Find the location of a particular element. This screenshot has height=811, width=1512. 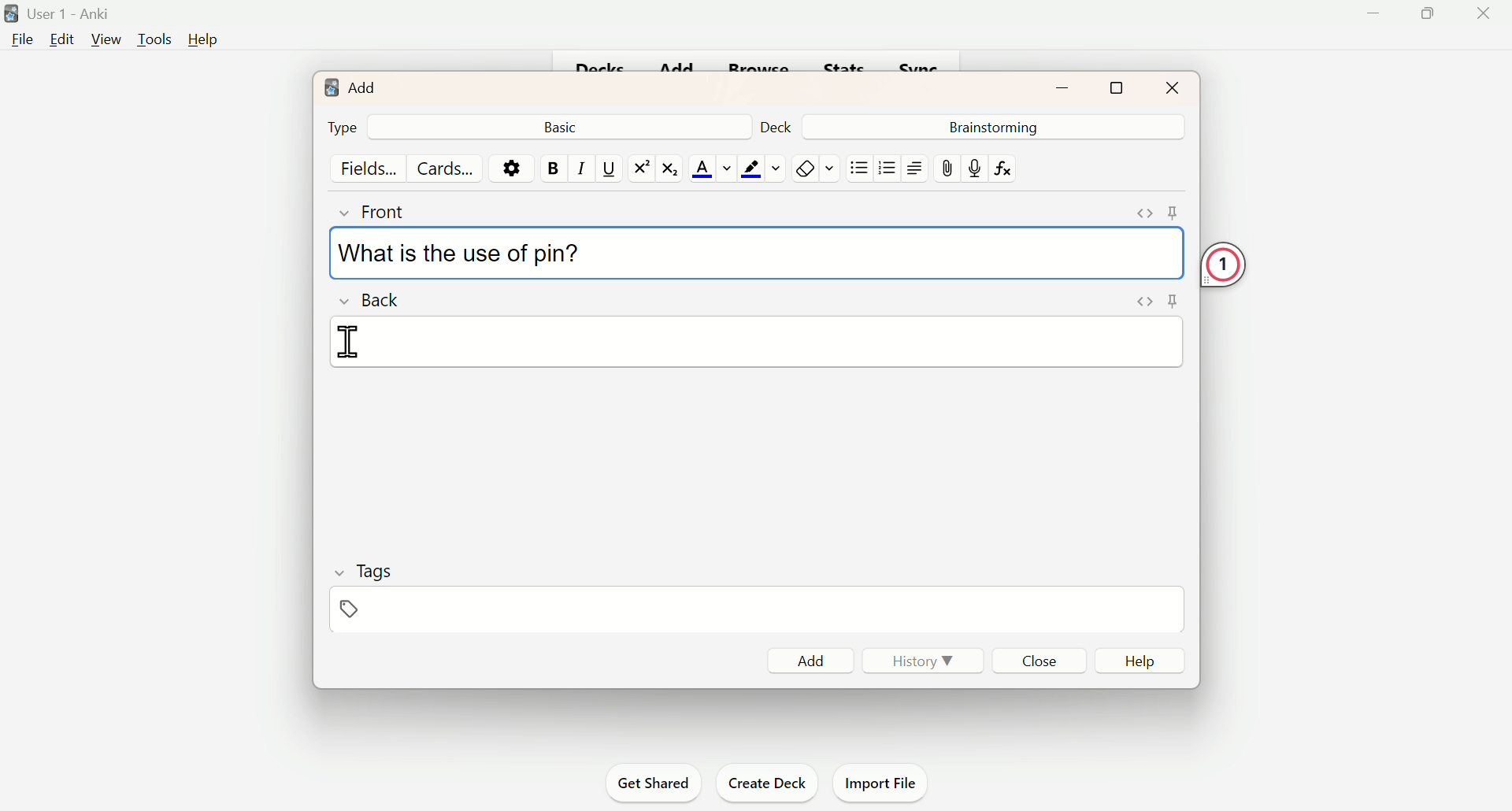

 is located at coordinates (1177, 87).